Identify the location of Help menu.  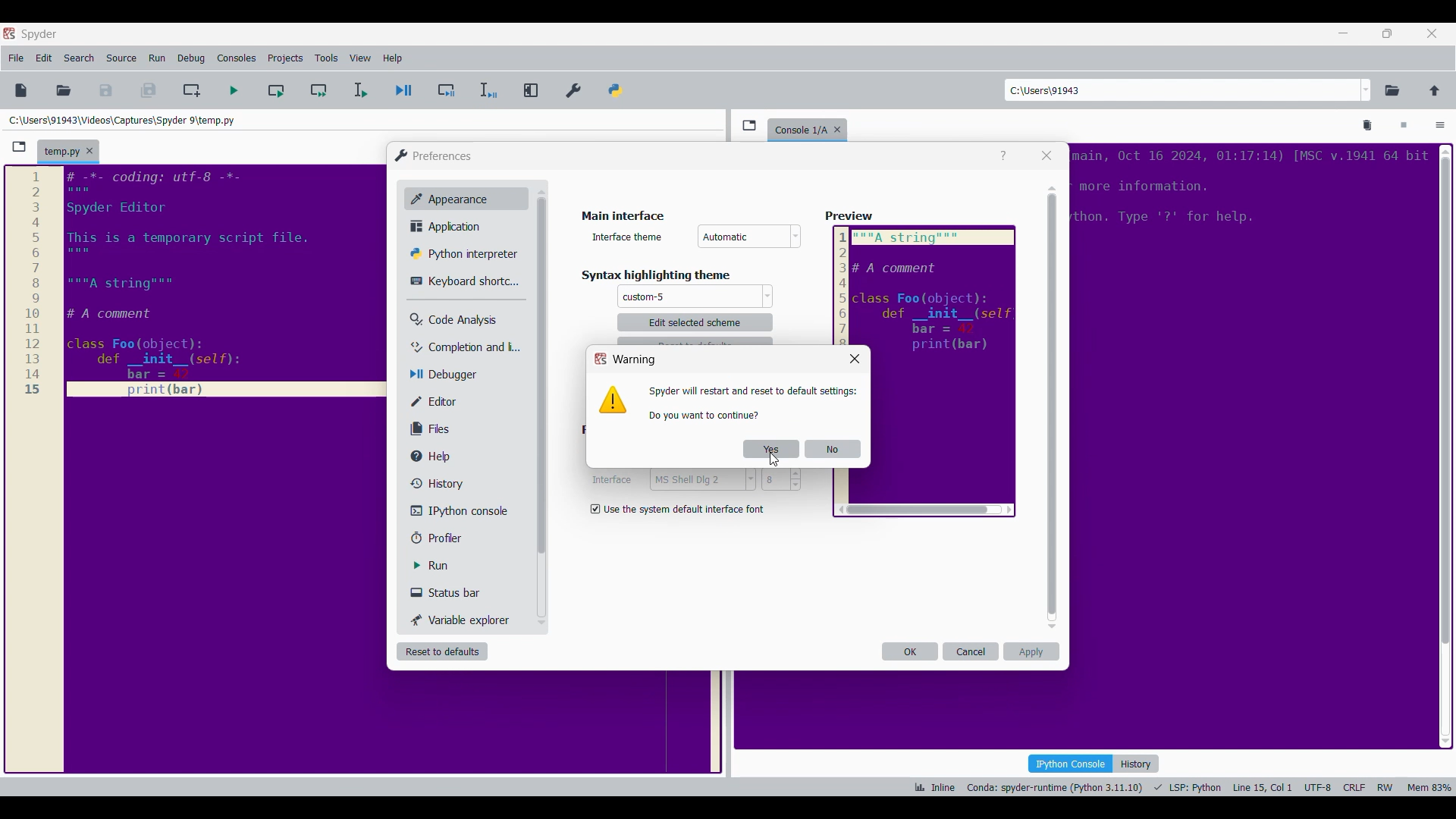
(393, 58).